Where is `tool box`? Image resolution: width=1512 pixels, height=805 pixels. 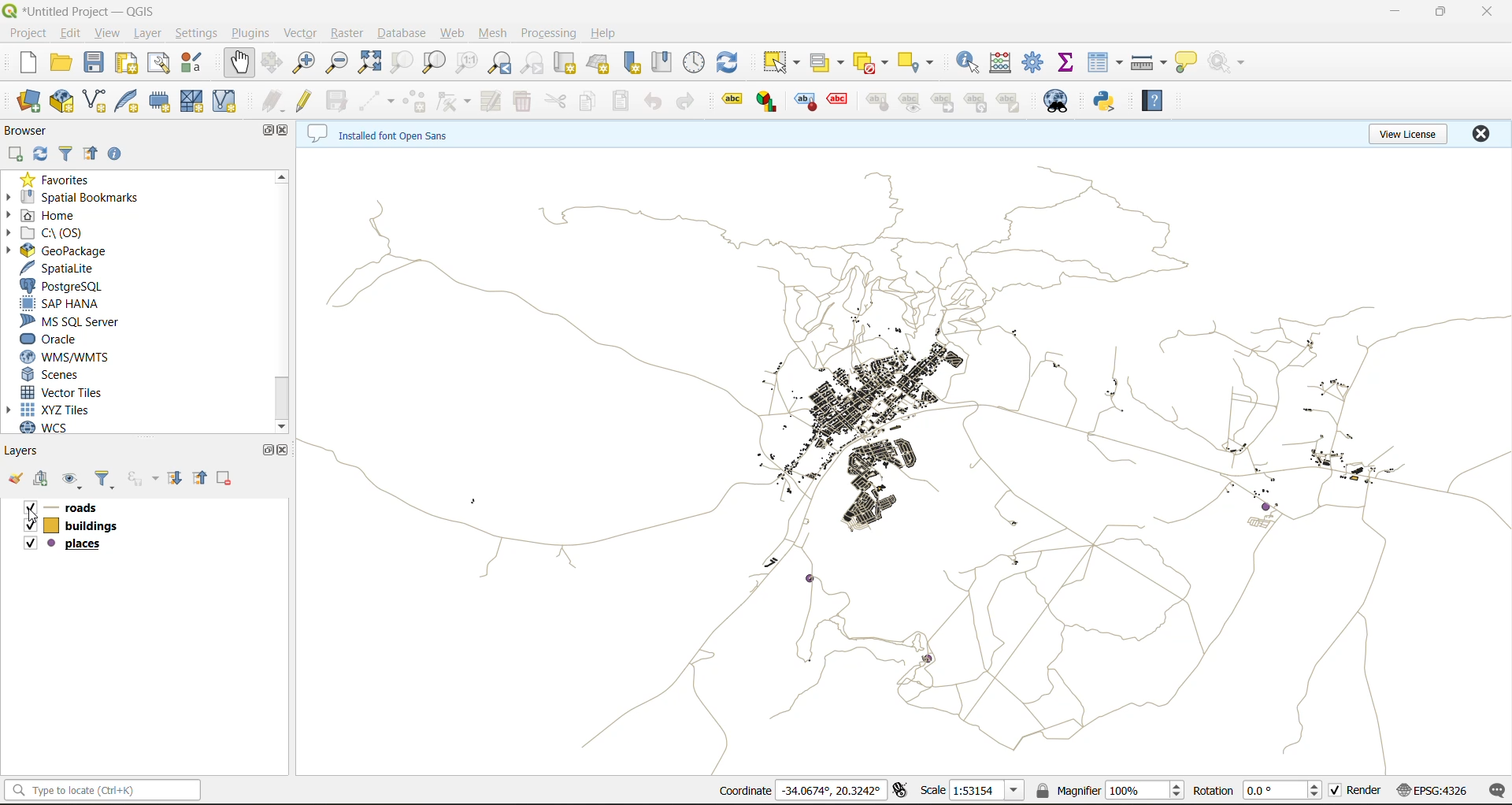
tool box is located at coordinates (1031, 60).